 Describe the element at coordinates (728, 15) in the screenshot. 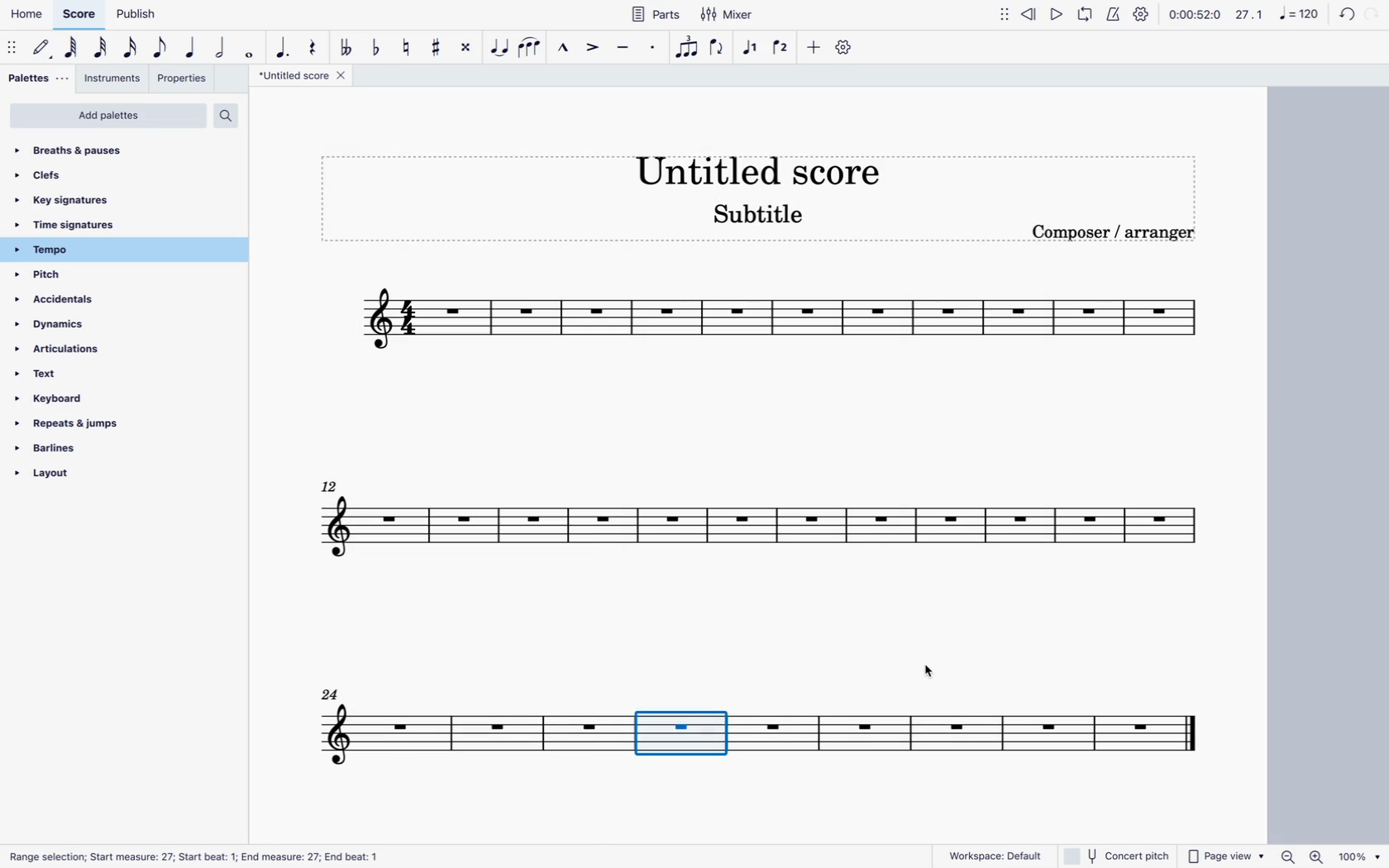

I see `mixer` at that location.